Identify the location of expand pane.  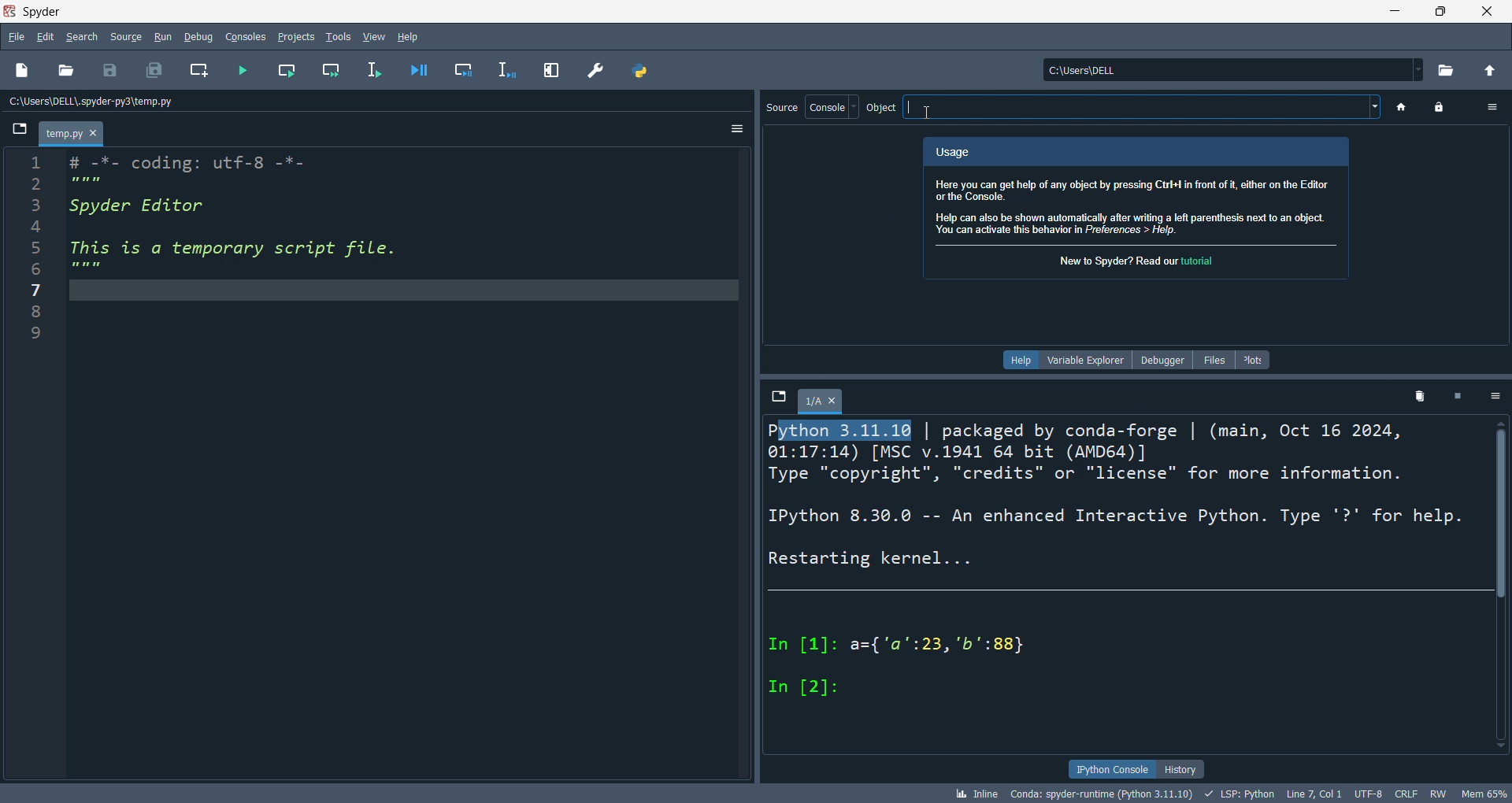
(548, 68).